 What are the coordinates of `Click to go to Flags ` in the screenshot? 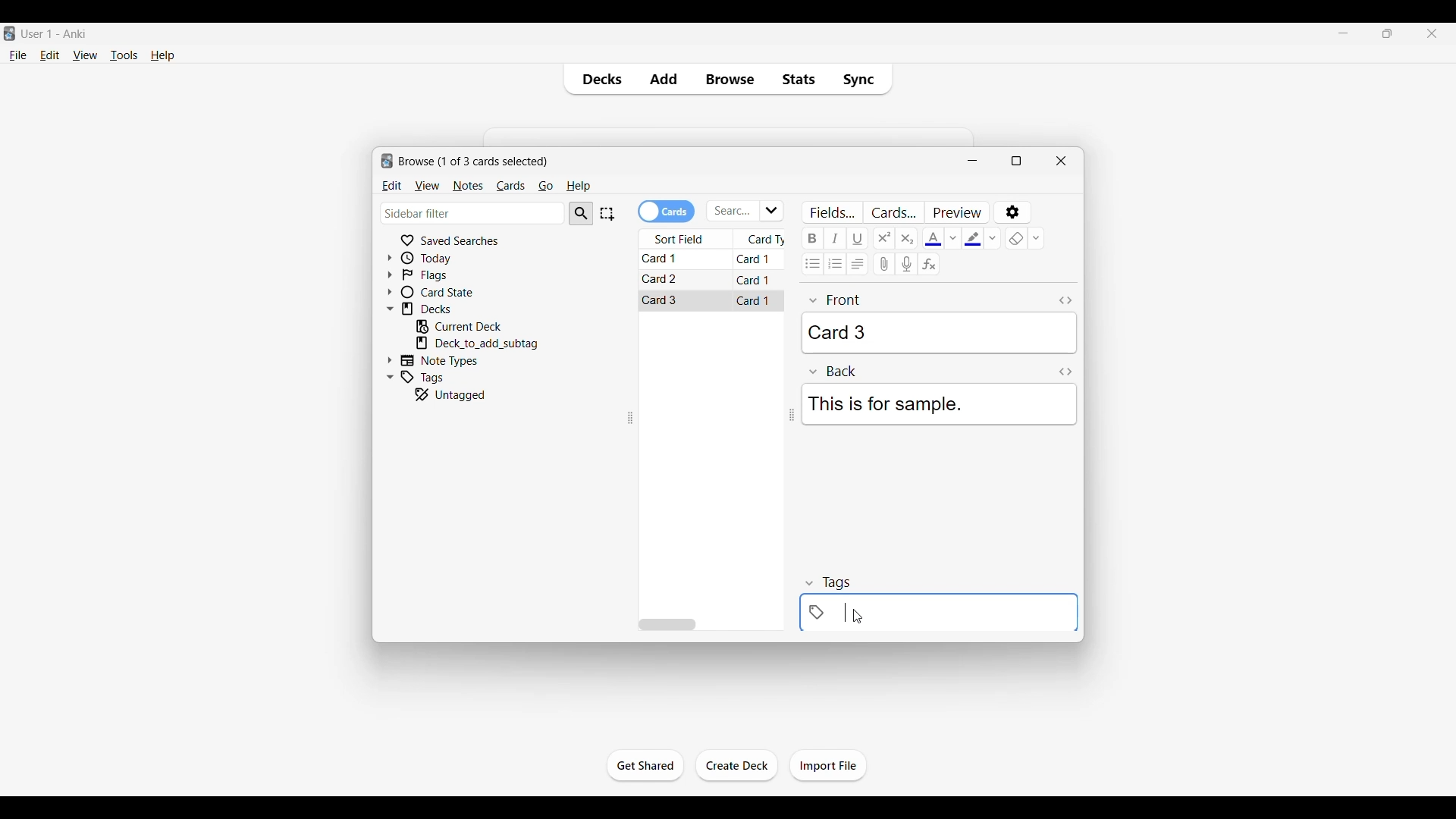 It's located at (449, 275).